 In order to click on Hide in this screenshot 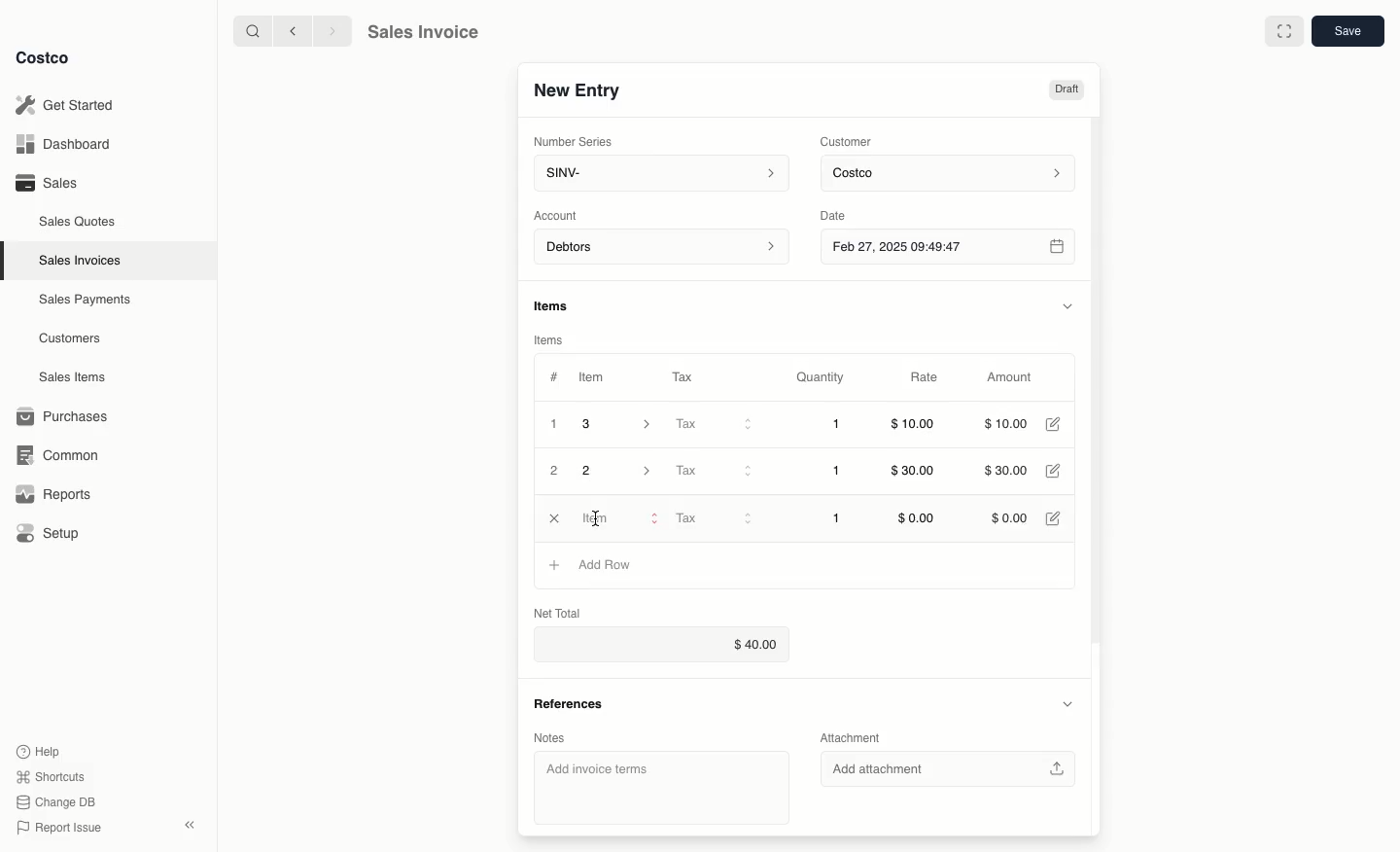, I will do `click(1067, 303)`.